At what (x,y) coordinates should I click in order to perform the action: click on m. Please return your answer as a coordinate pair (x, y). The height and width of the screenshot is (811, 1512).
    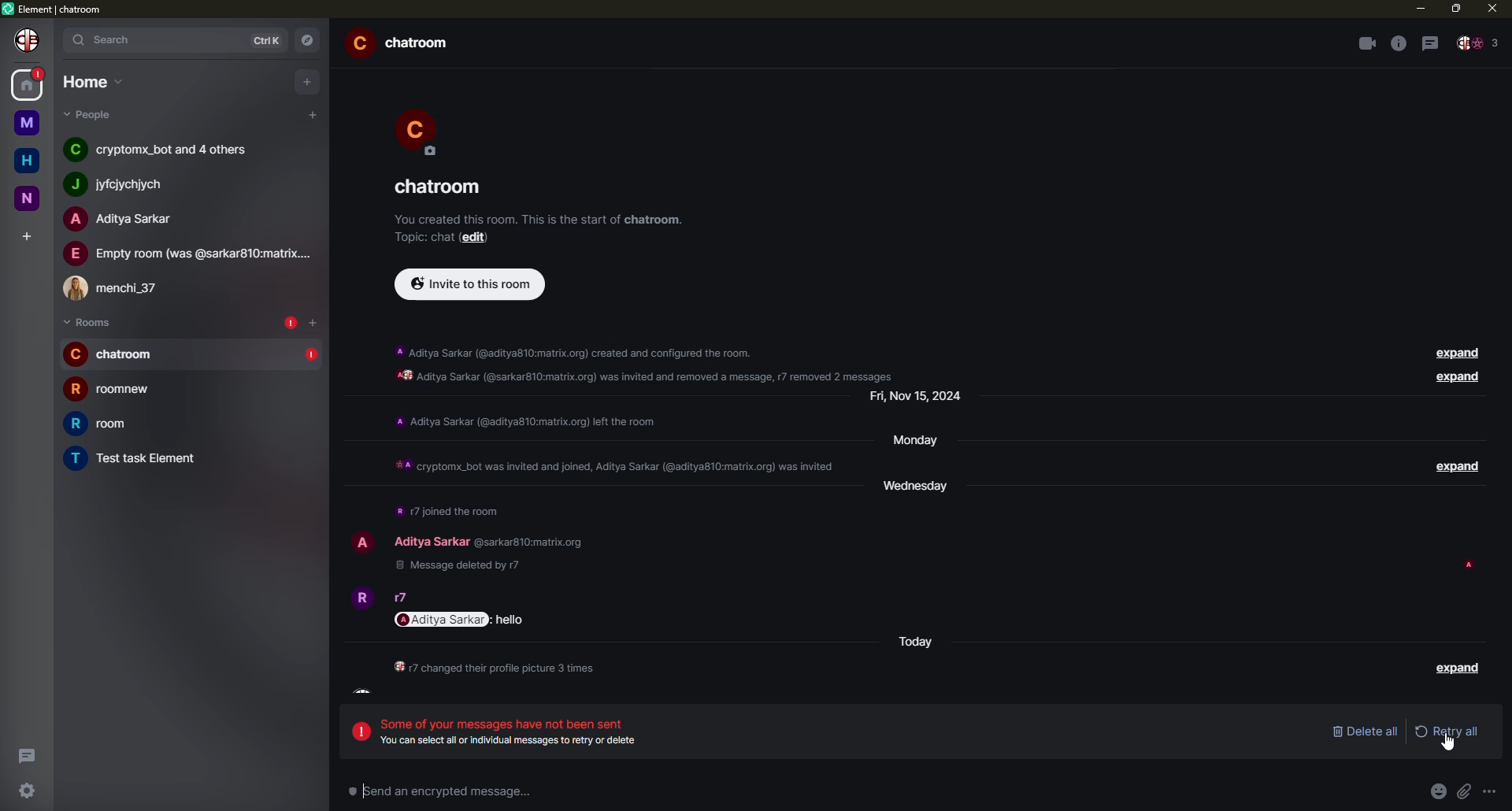
    Looking at the image, I should click on (28, 122).